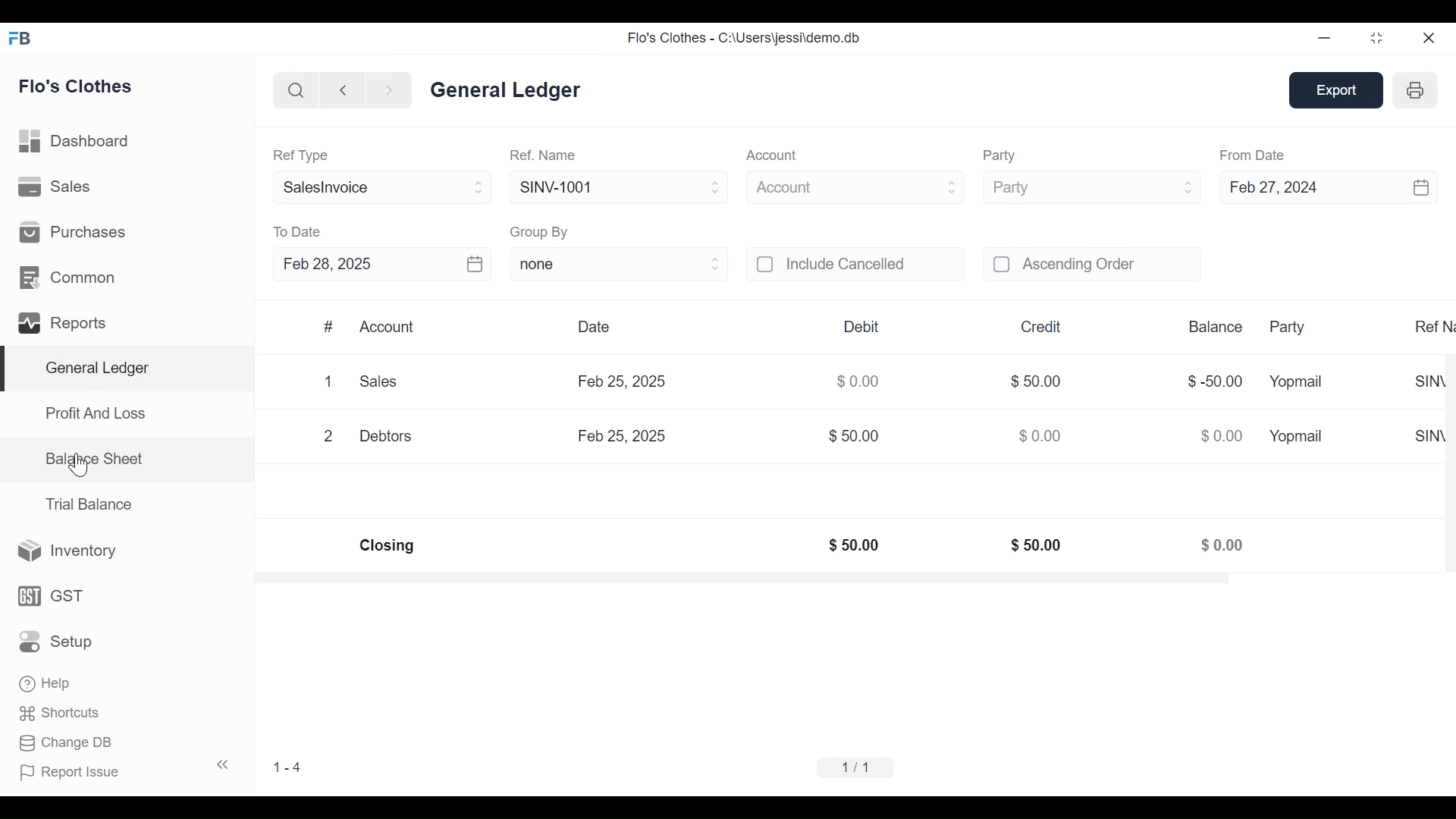 This screenshot has width=1456, height=819. I want to click on Profit And Loss, so click(95, 413).